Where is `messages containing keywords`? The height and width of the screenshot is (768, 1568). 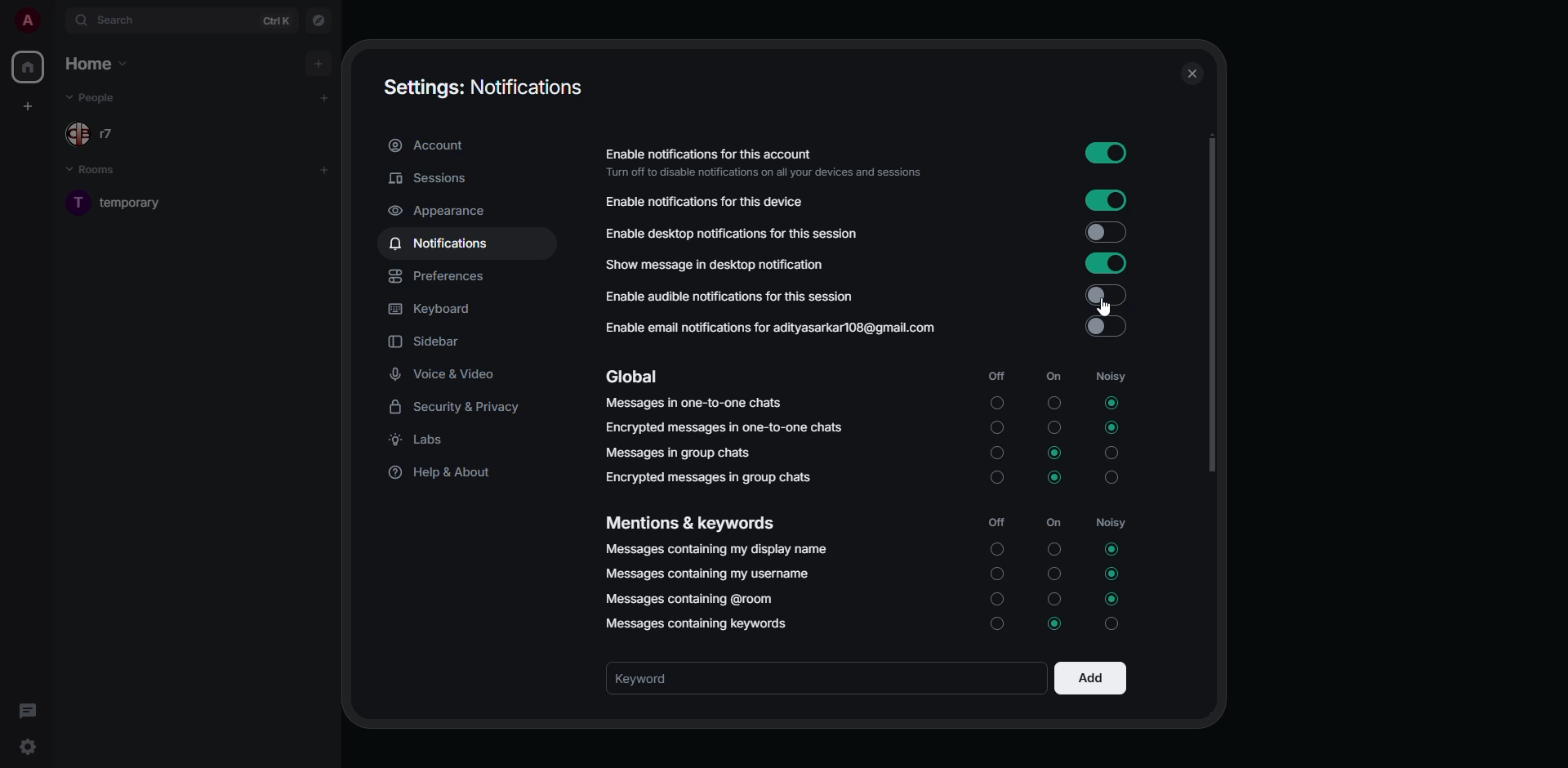 messages containing keywords is located at coordinates (694, 623).